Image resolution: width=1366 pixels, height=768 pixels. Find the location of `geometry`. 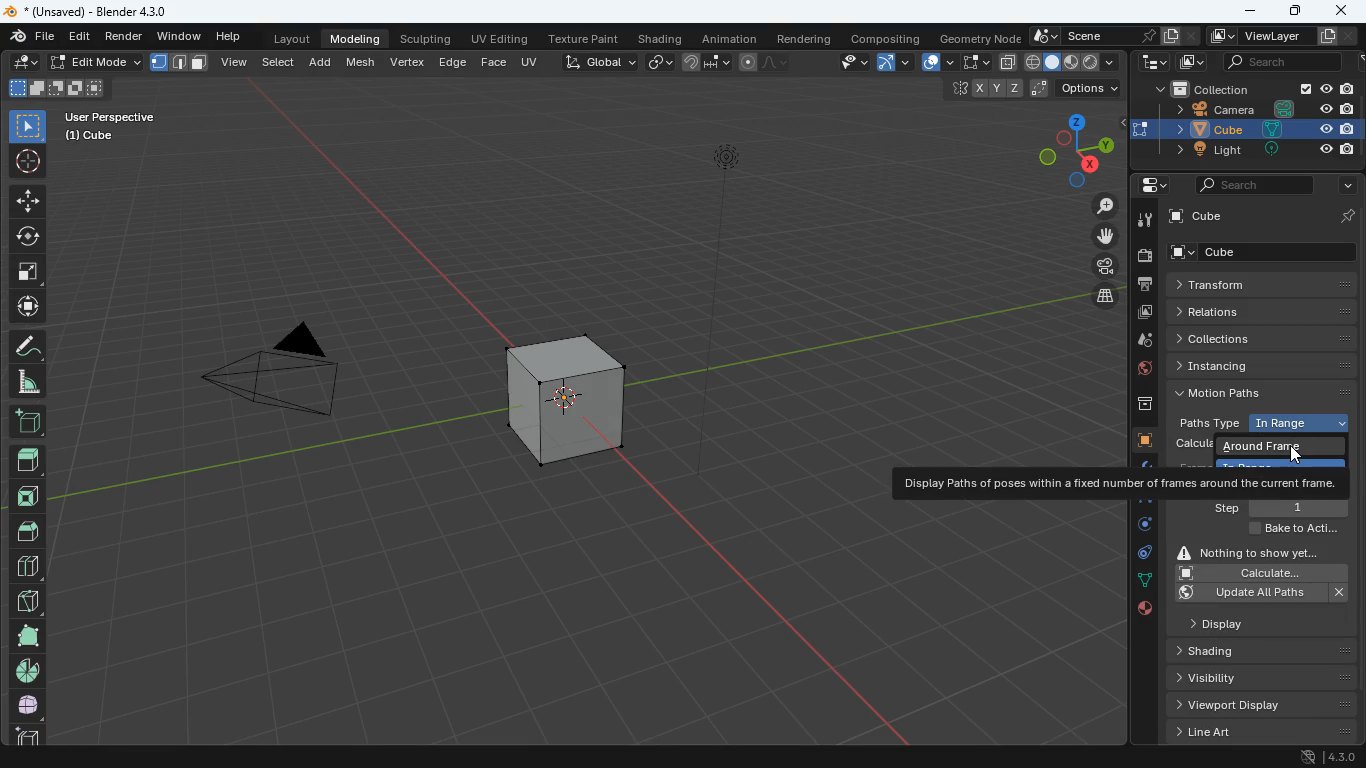

geometry is located at coordinates (980, 38).